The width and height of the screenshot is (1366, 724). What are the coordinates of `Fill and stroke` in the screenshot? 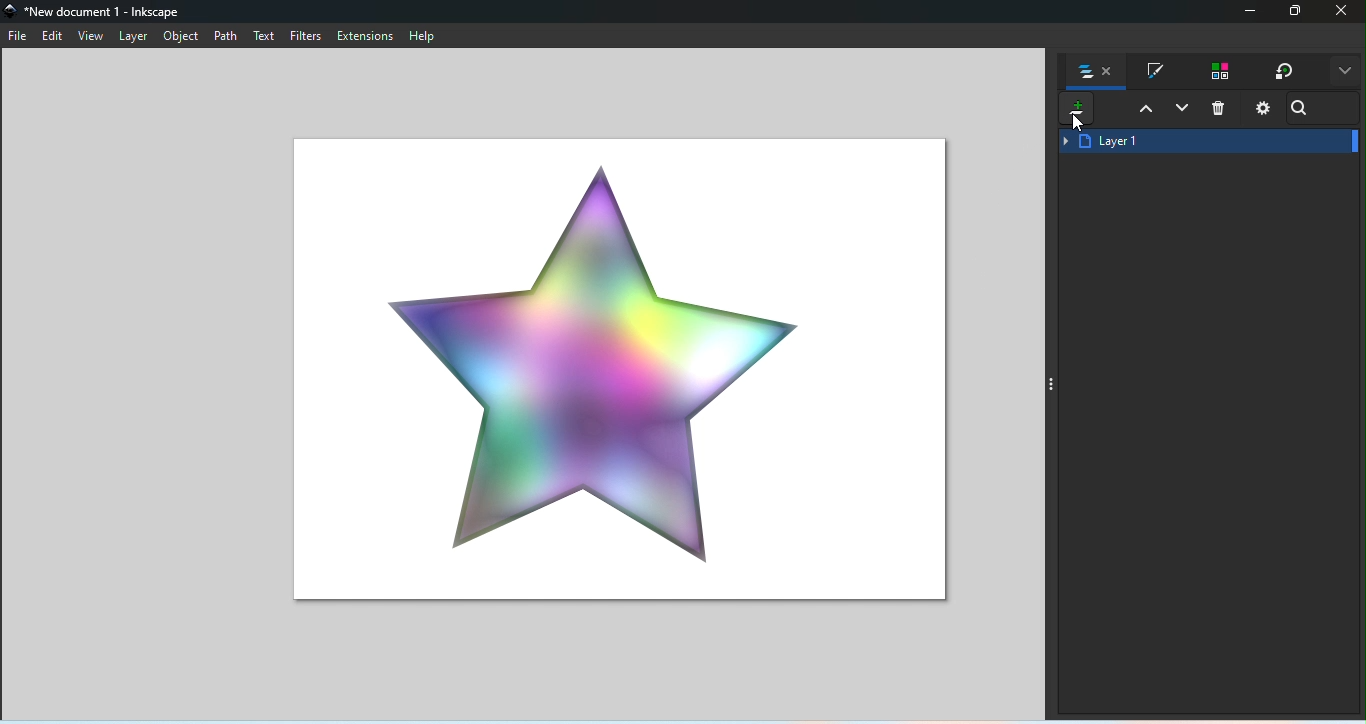 It's located at (1155, 72).